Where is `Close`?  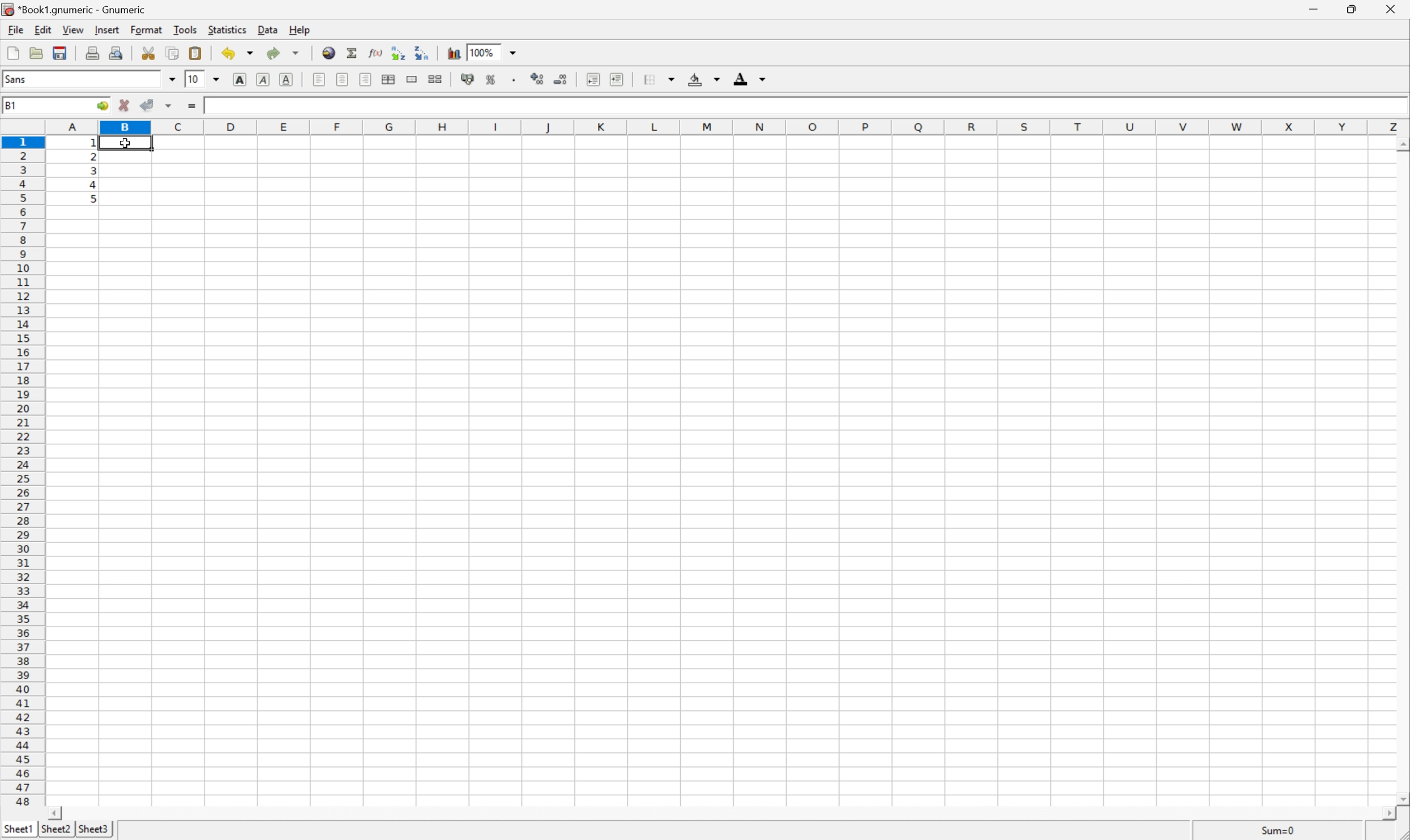
Close is located at coordinates (1391, 8).